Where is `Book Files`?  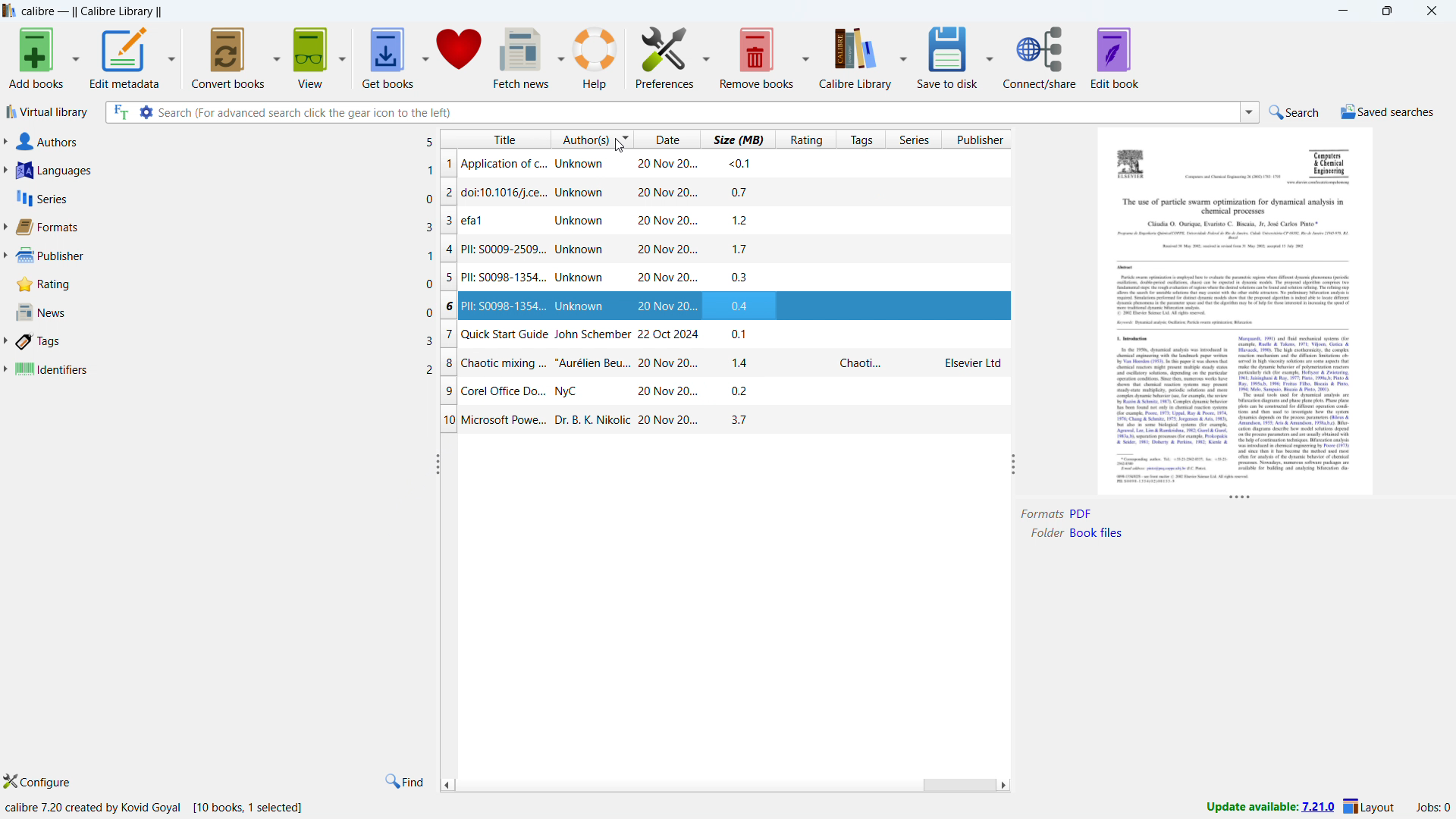 Book Files is located at coordinates (1102, 533).